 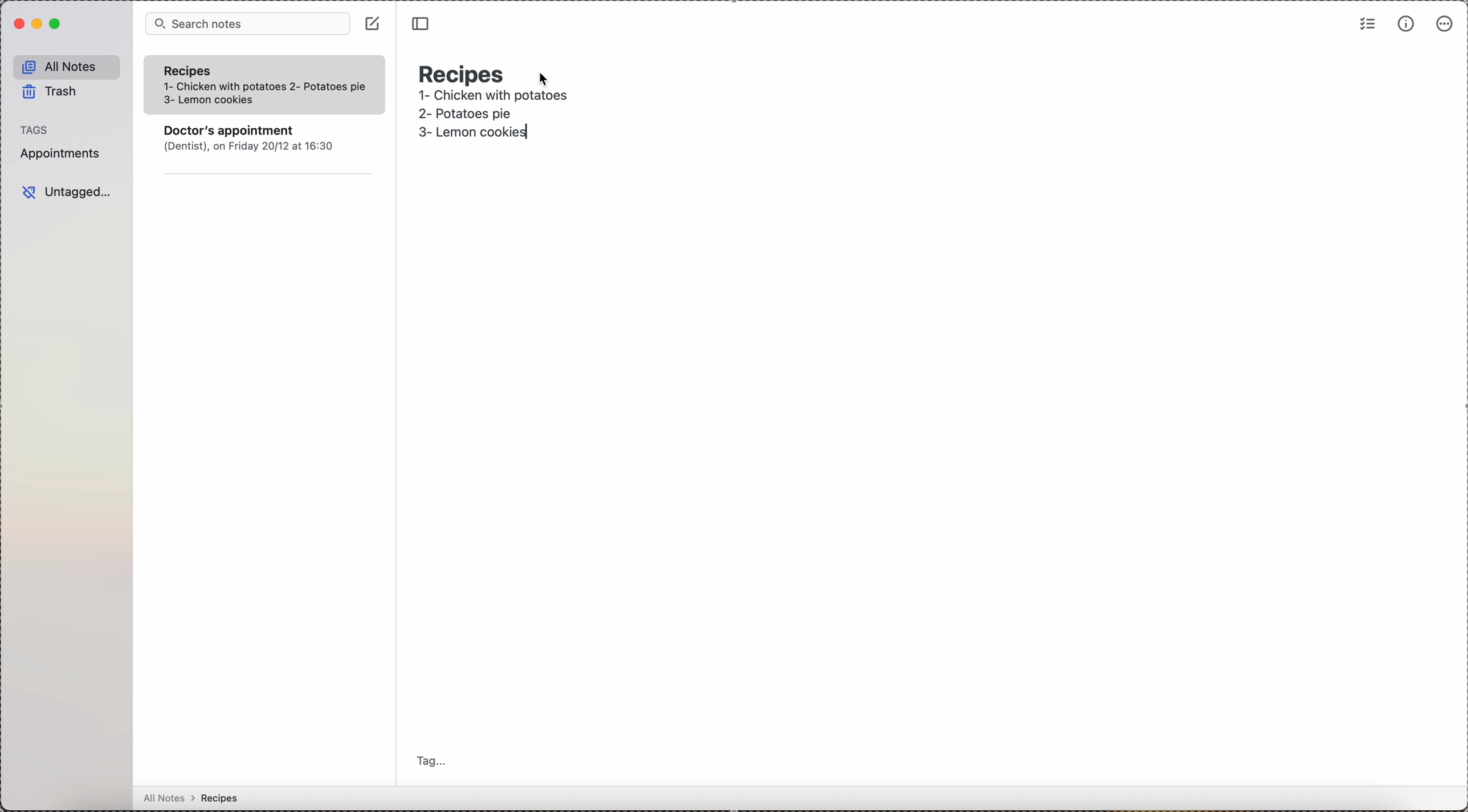 What do you see at coordinates (1406, 24) in the screenshot?
I see `metrics` at bounding box center [1406, 24].